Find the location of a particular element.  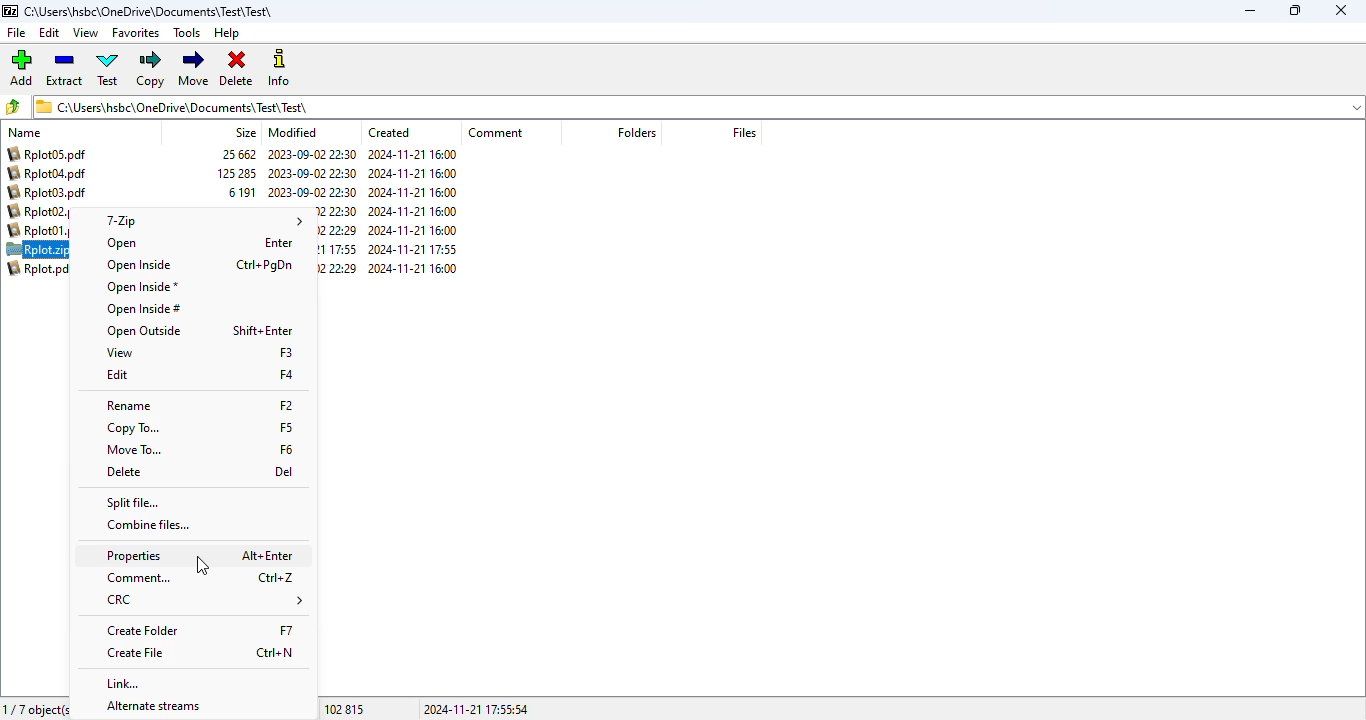

shortcut for delete is located at coordinates (284, 473).